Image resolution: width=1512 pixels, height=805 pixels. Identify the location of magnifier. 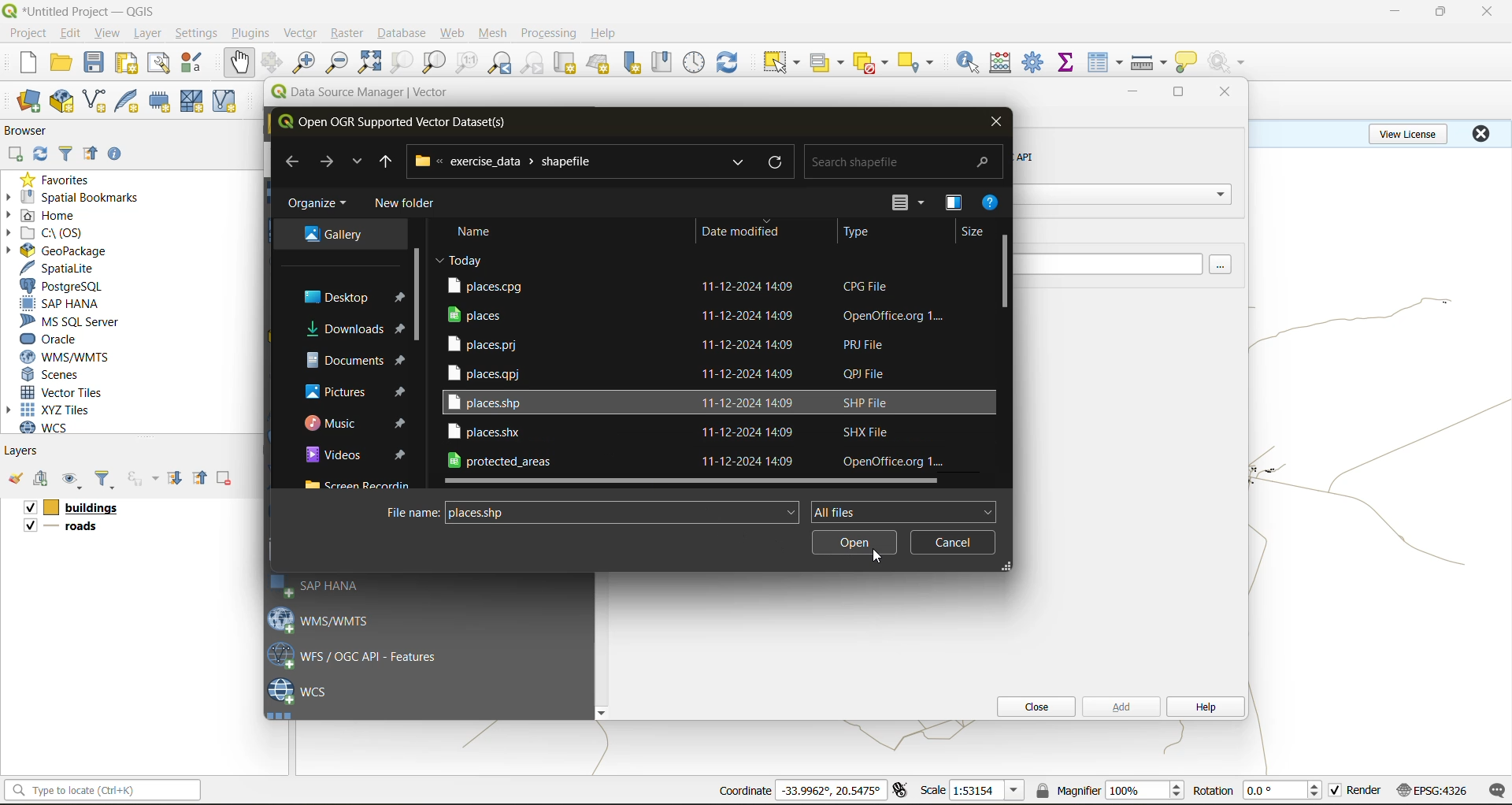
(1067, 790).